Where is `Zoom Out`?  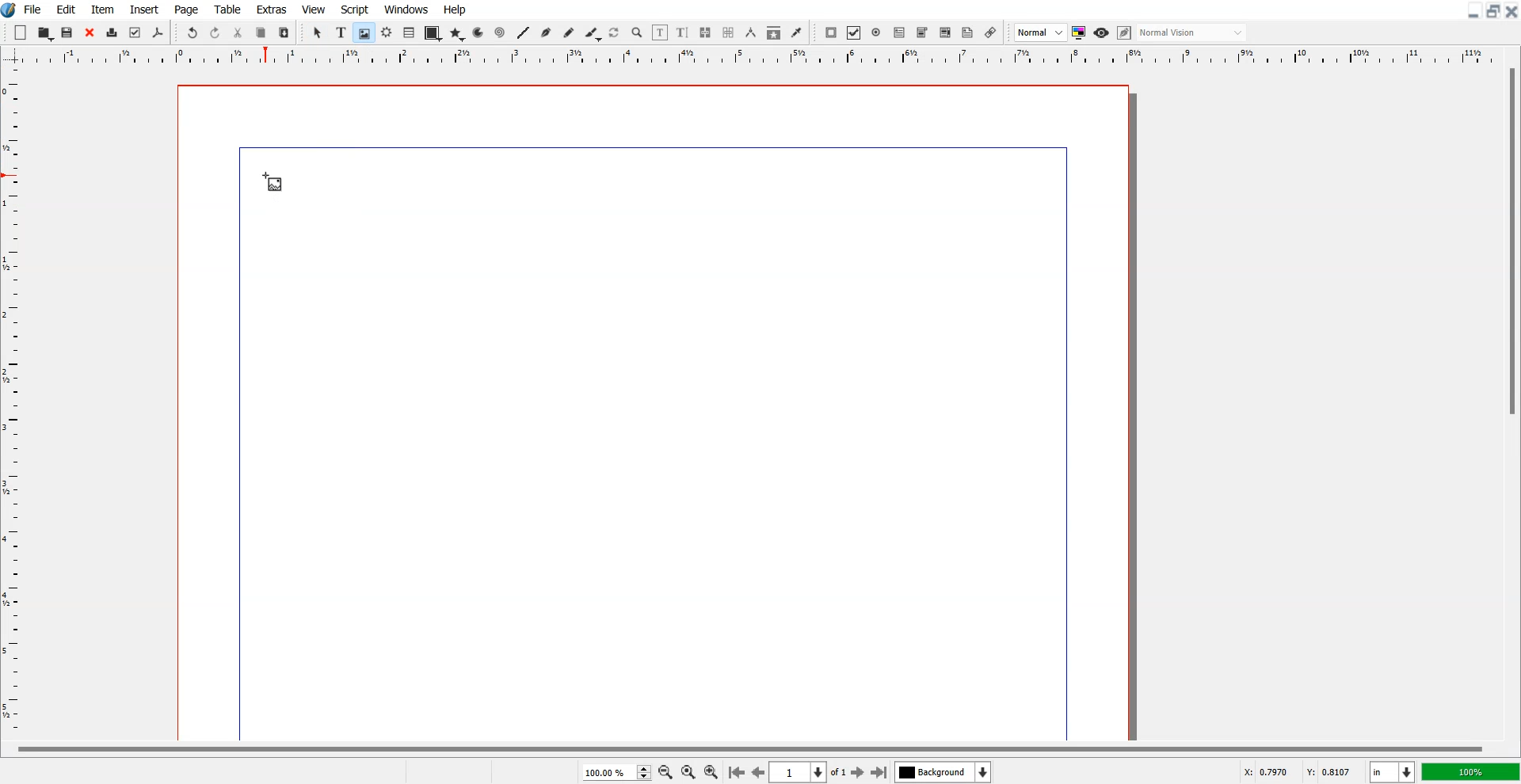 Zoom Out is located at coordinates (665, 771).